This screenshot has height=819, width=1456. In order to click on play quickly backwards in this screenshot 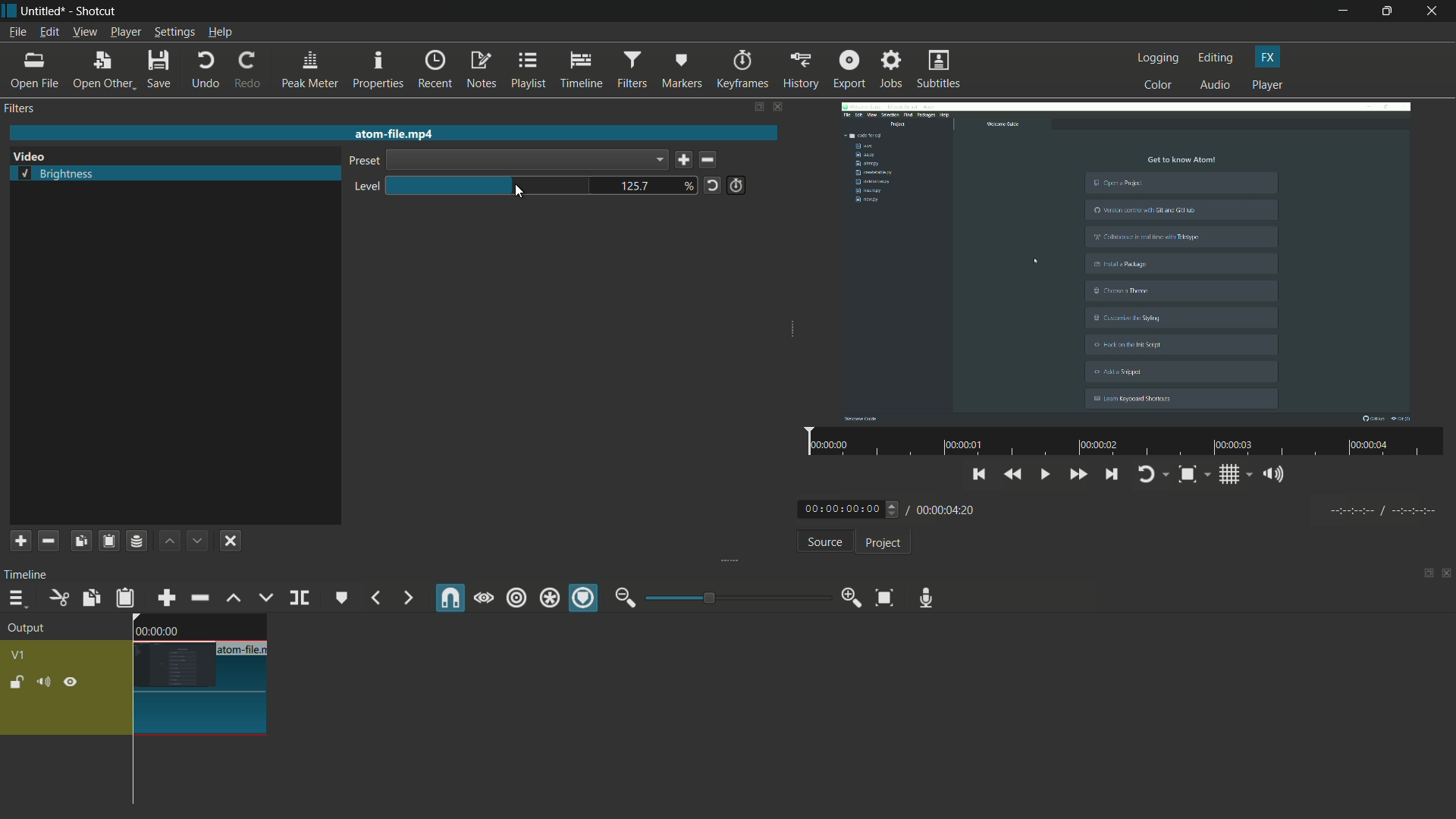, I will do `click(1014, 475)`.